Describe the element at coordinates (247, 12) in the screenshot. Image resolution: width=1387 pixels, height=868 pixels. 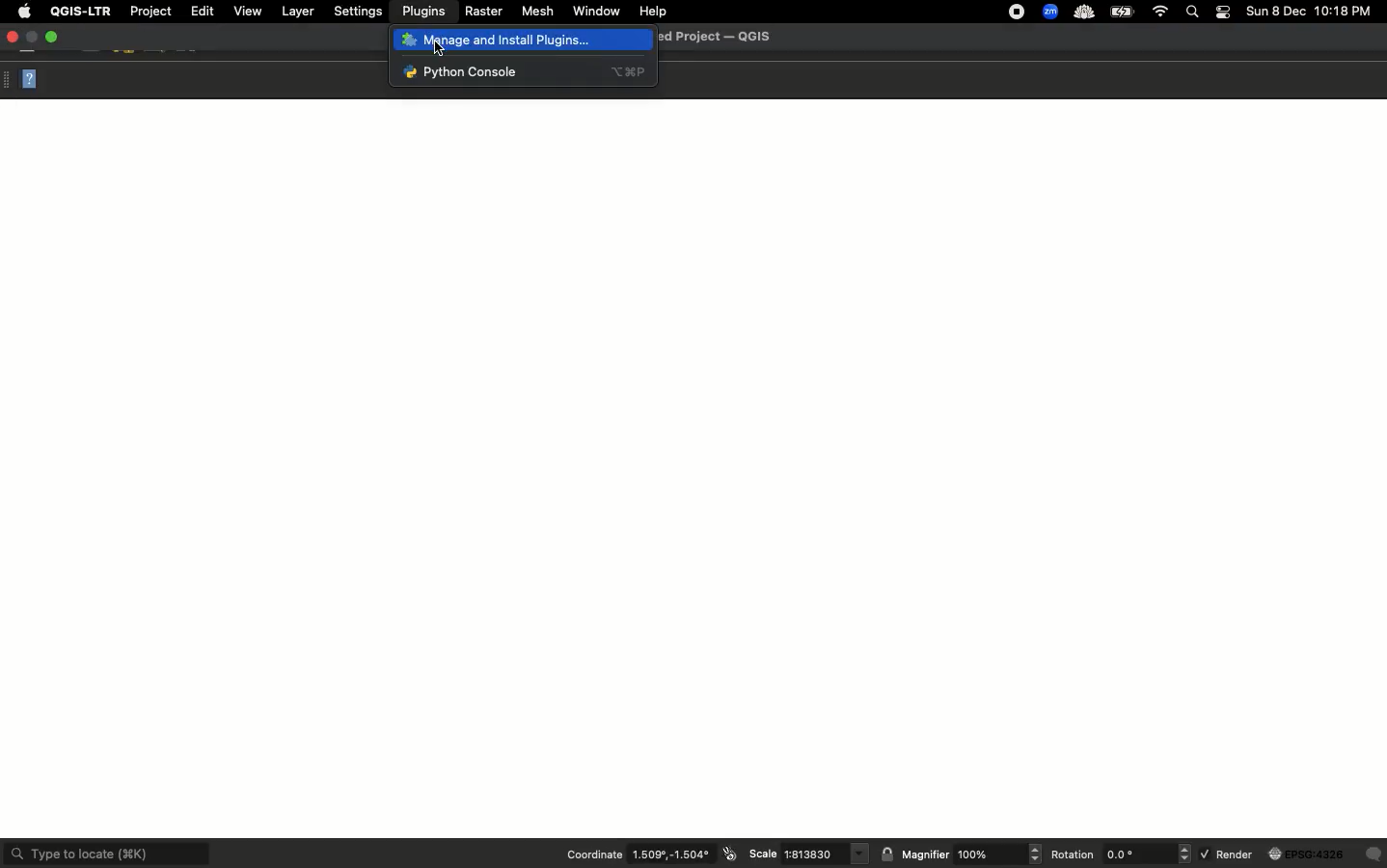
I see `View` at that location.